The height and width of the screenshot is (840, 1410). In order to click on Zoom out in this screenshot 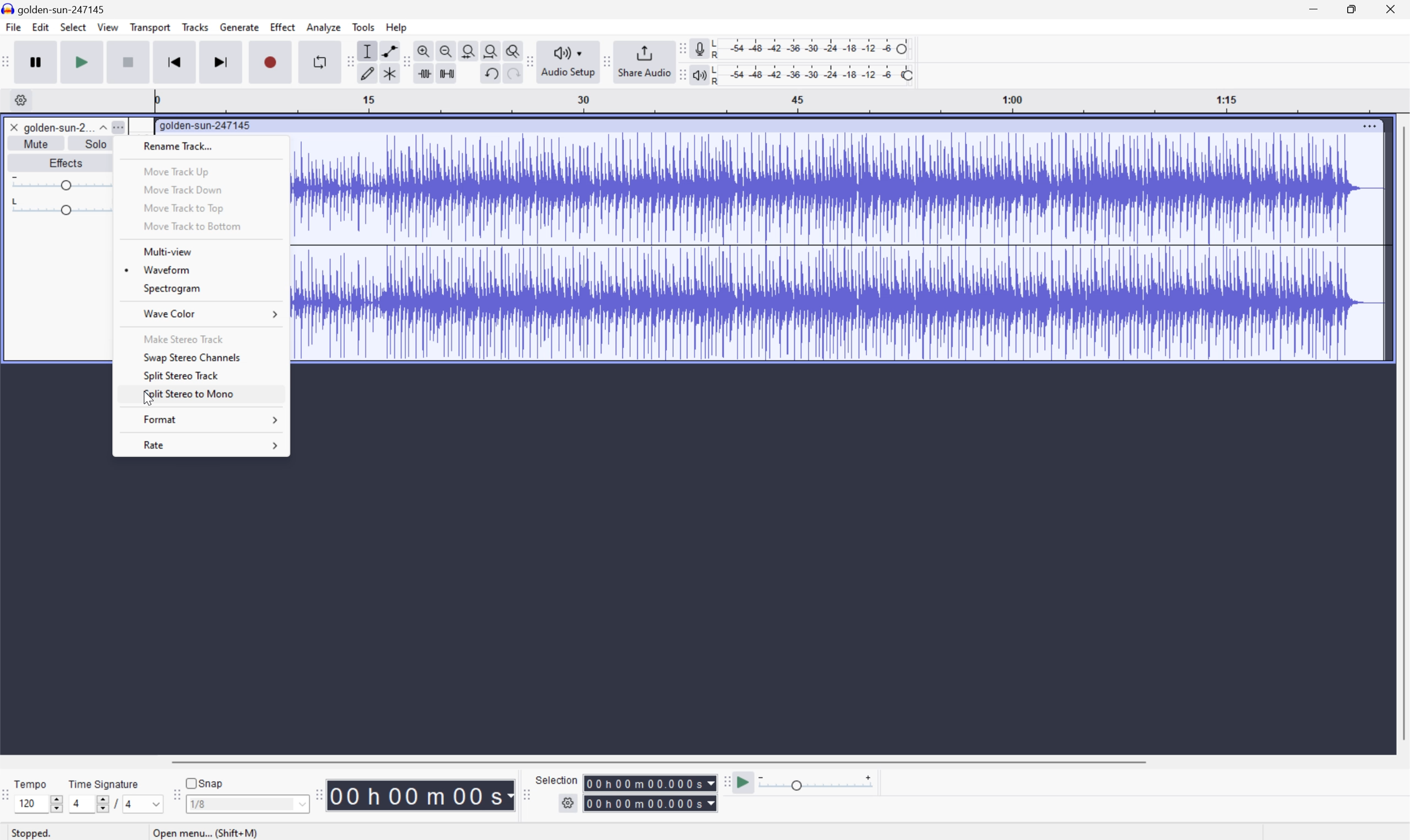, I will do `click(447, 50)`.